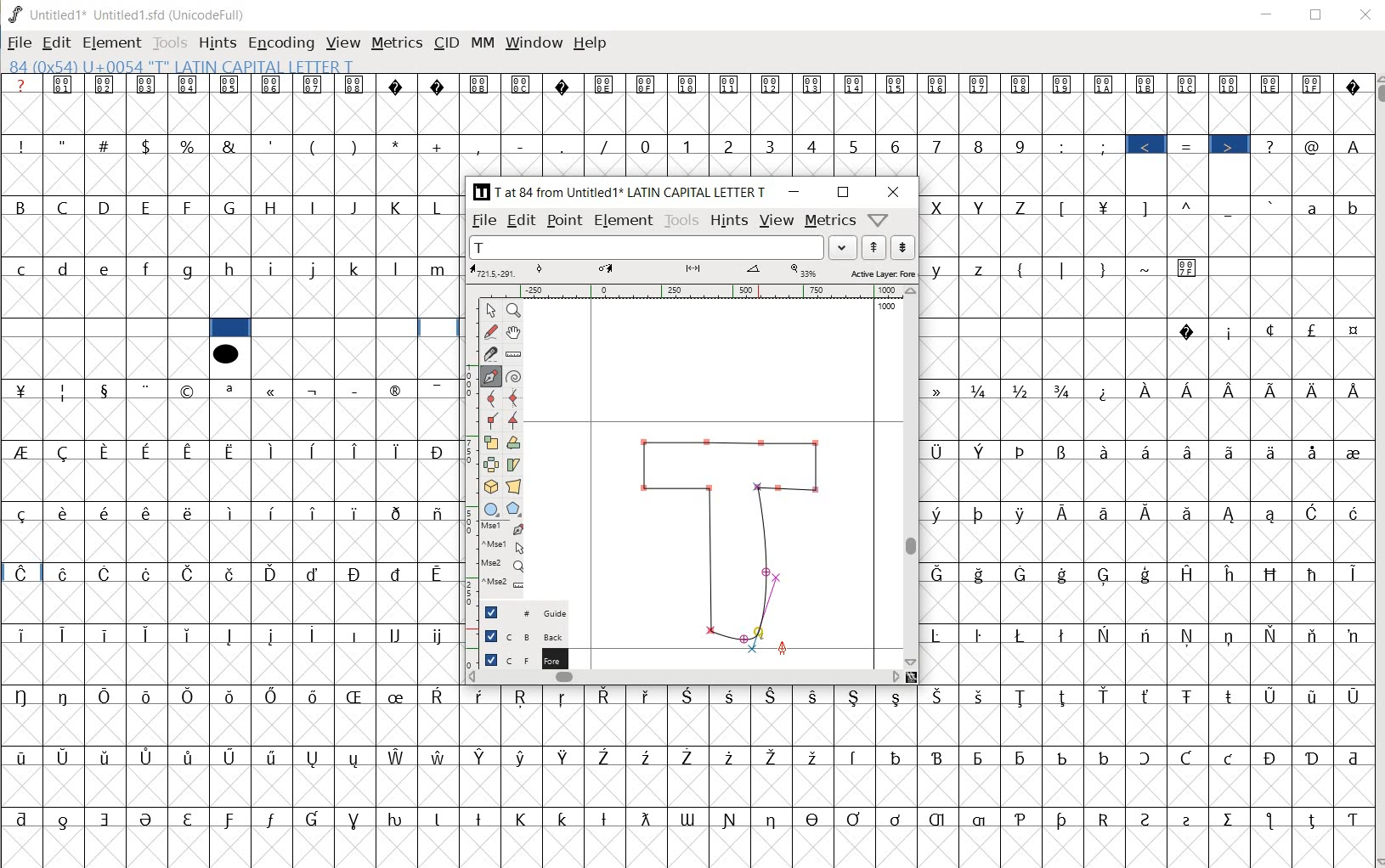  I want to click on ~, so click(1148, 269).